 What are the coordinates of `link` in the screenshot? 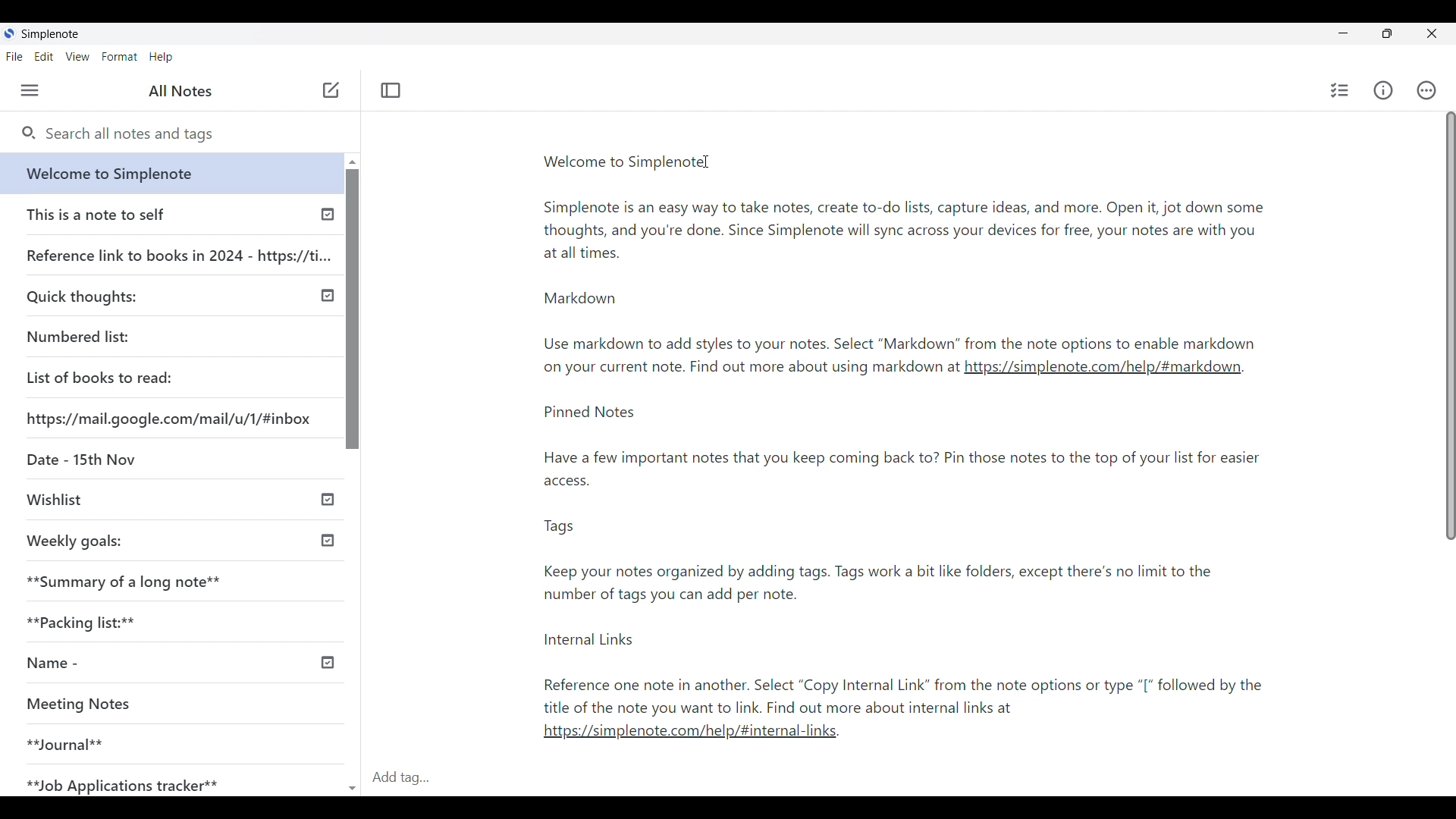 It's located at (684, 736).